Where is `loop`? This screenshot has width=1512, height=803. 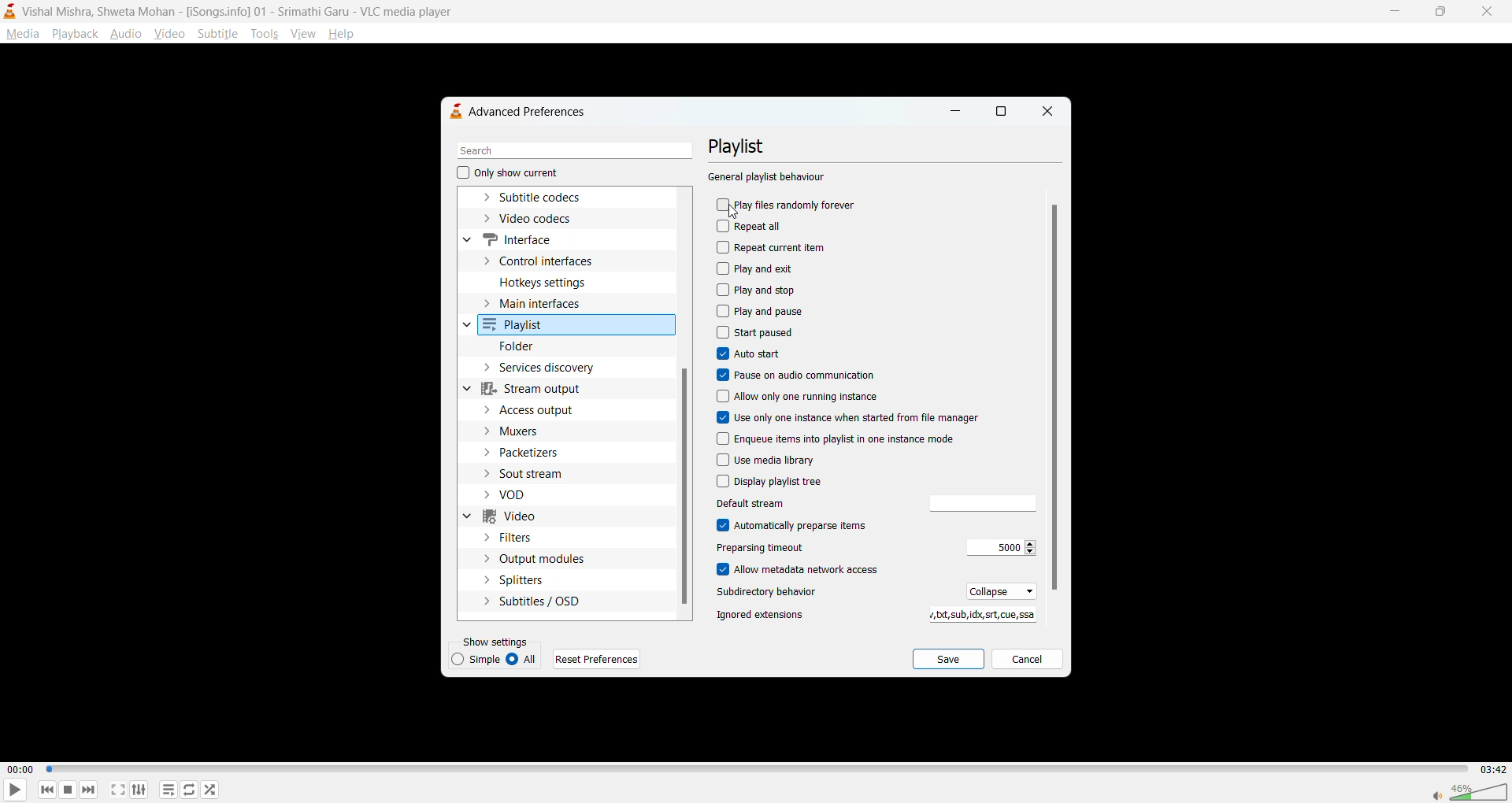 loop is located at coordinates (187, 789).